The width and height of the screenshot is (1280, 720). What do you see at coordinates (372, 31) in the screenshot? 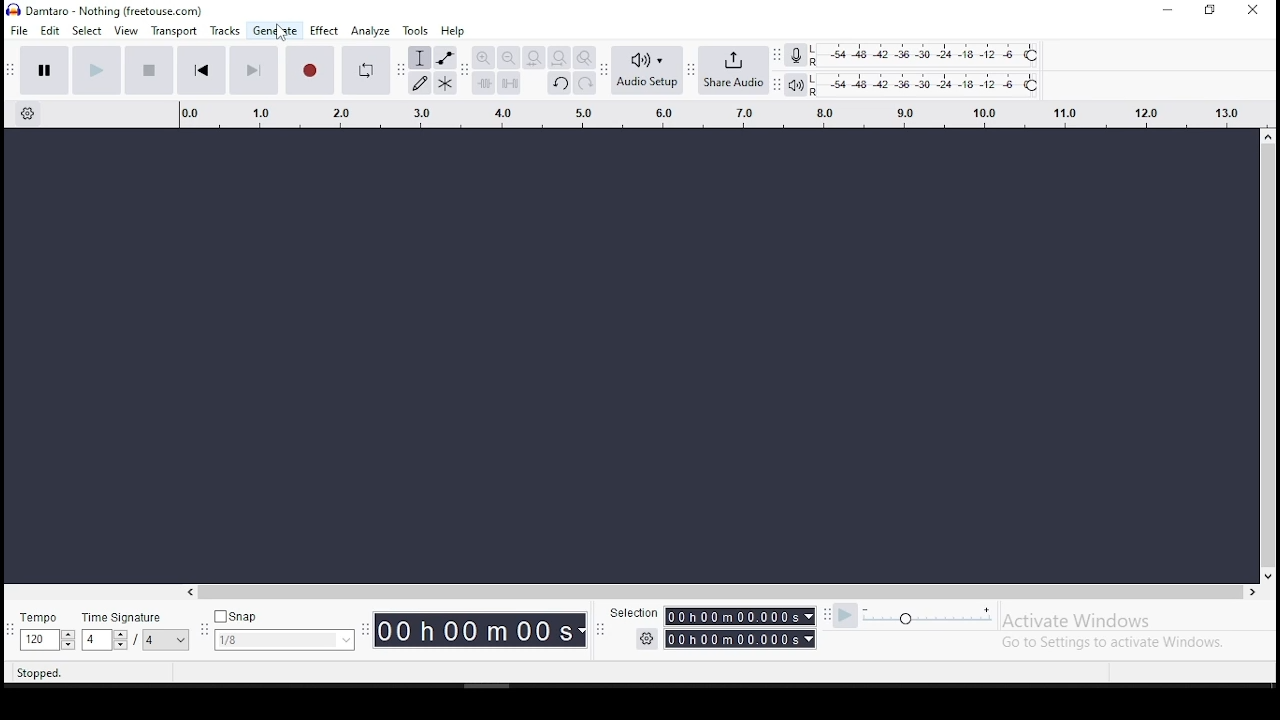
I see `analyze` at bounding box center [372, 31].